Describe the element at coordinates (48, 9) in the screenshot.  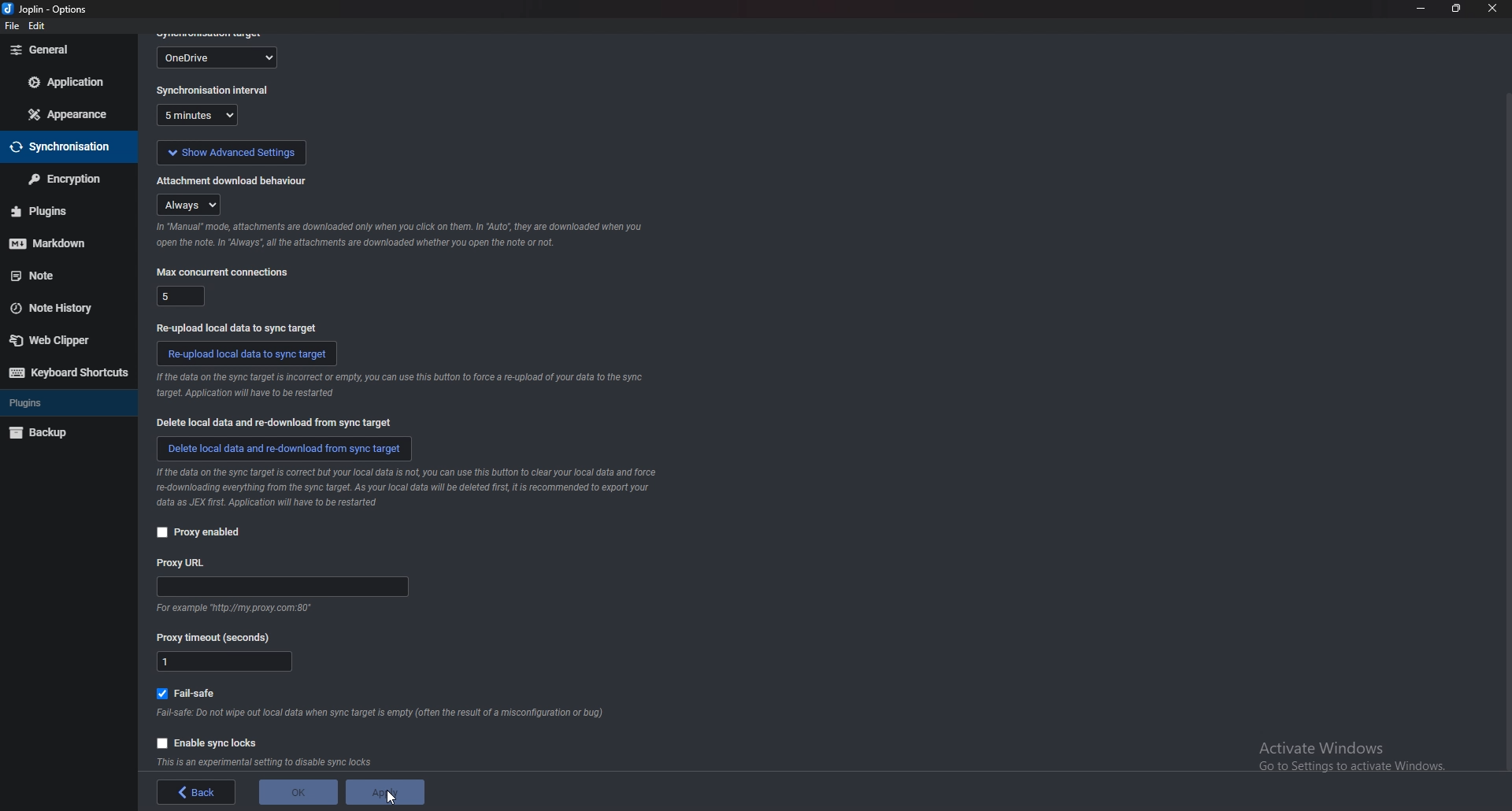
I see `options` at that location.